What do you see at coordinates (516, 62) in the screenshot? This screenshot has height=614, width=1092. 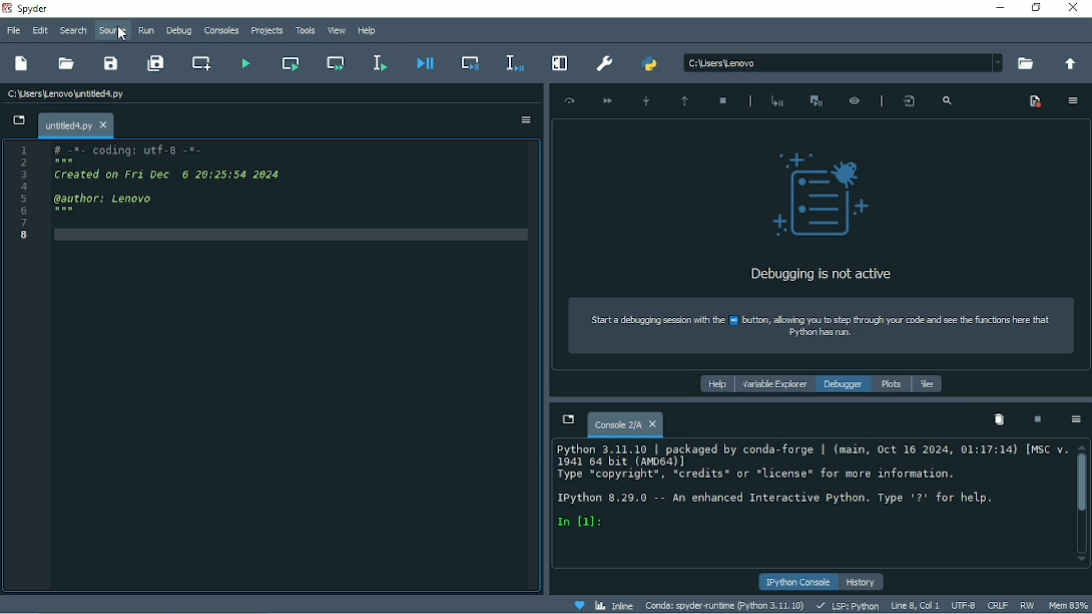 I see `Debug selection or current line` at bounding box center [516, 62].